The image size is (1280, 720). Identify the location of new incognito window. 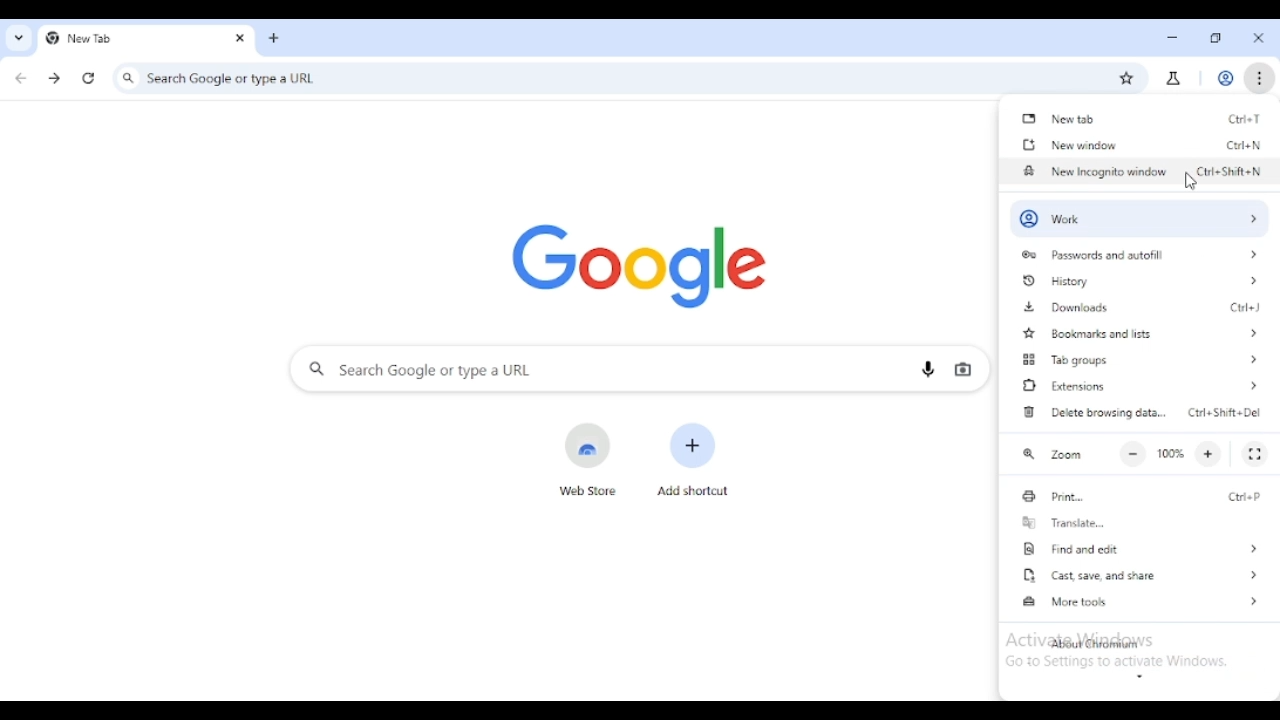
(1095, 171).